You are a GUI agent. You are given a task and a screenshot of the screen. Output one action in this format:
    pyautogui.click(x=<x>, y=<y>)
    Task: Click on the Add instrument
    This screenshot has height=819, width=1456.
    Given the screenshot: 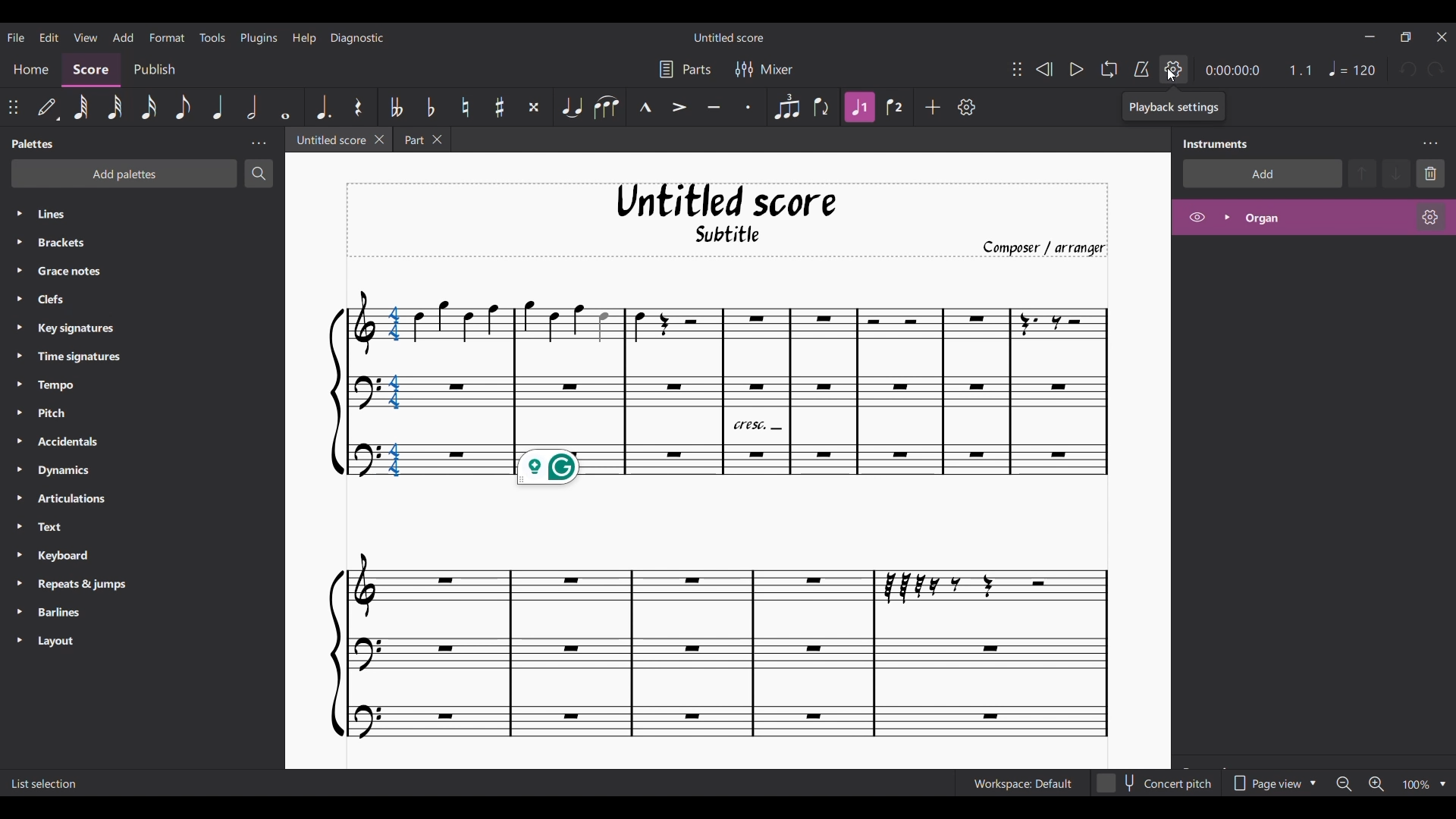 What is the action you would take?
    pyautogui.click(x=1263, y=174)
    